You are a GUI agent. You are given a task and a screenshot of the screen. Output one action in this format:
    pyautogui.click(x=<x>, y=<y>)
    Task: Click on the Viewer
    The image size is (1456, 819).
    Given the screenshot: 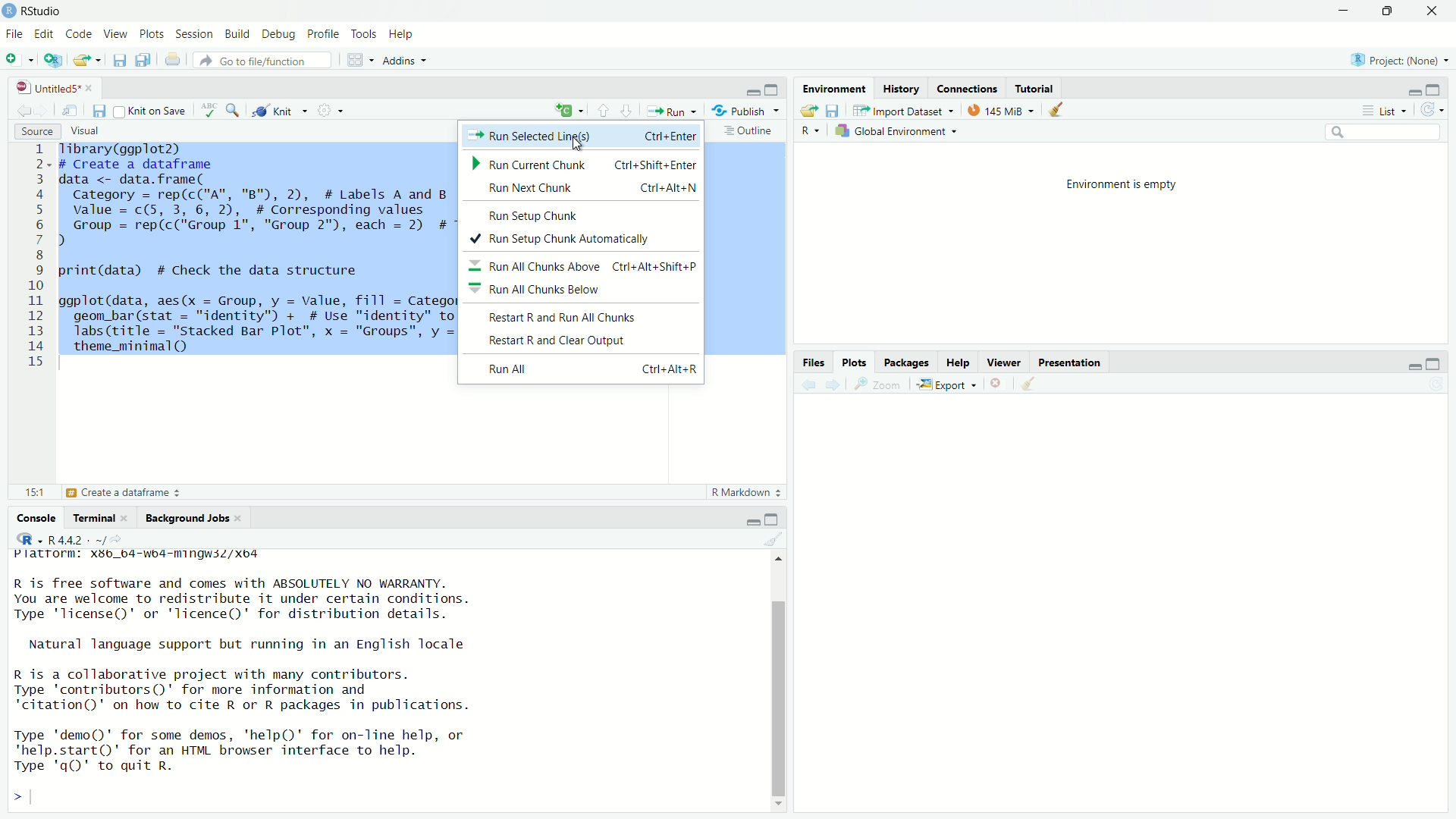 What is the action you would take?
    pyautogui.click(x=1003, y=362)
    